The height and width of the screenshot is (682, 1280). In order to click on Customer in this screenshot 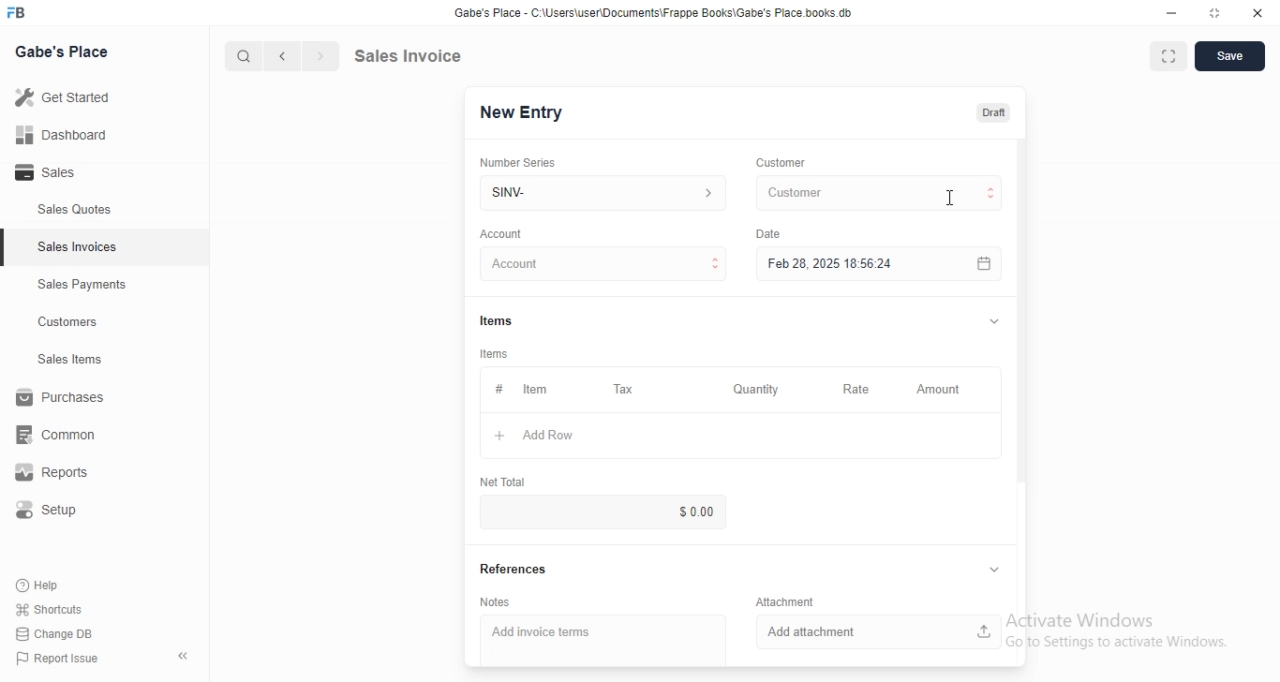, I will do `click(876, 193)`.